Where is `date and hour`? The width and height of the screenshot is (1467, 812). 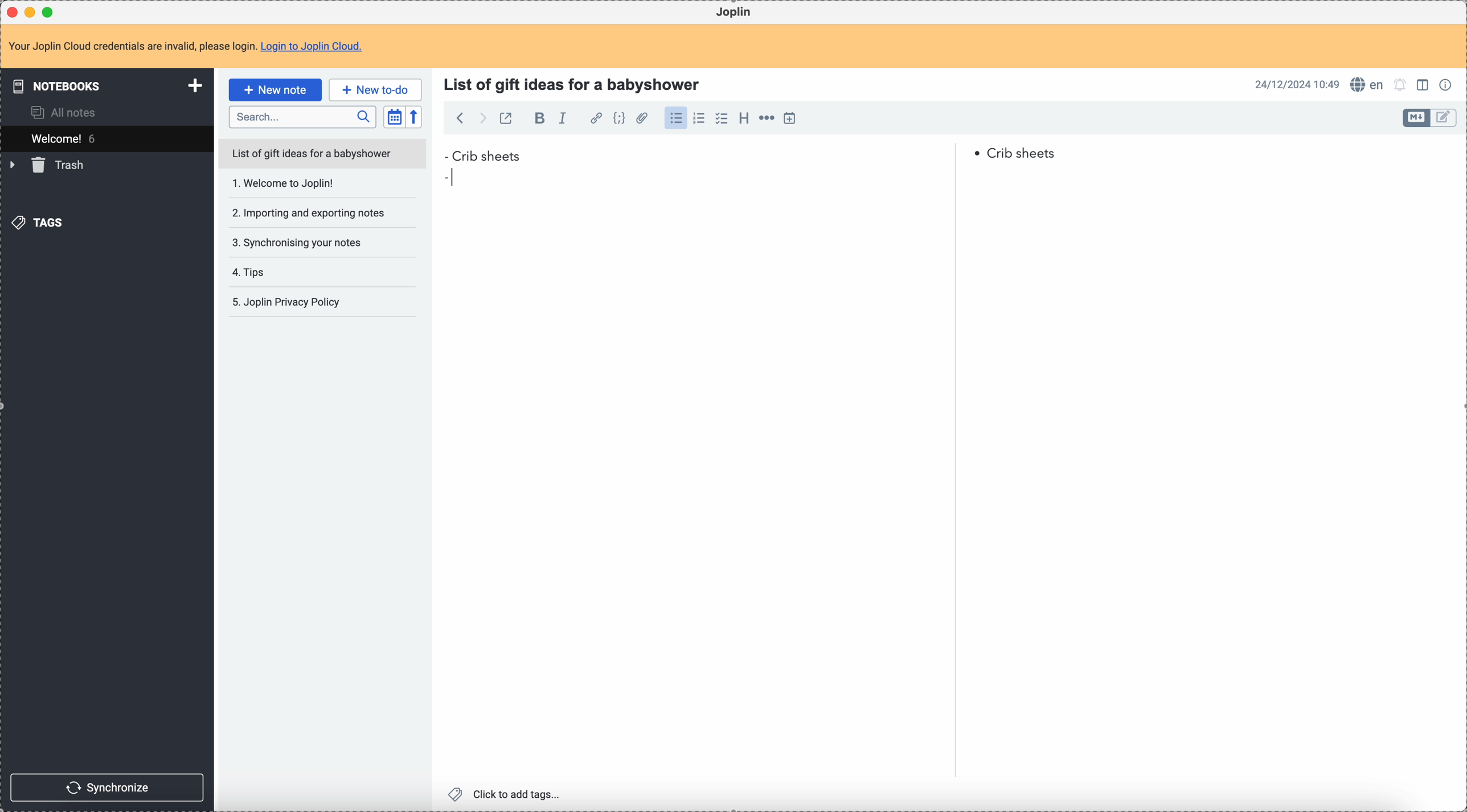
date and hour is located at coordinates (1297, 84).